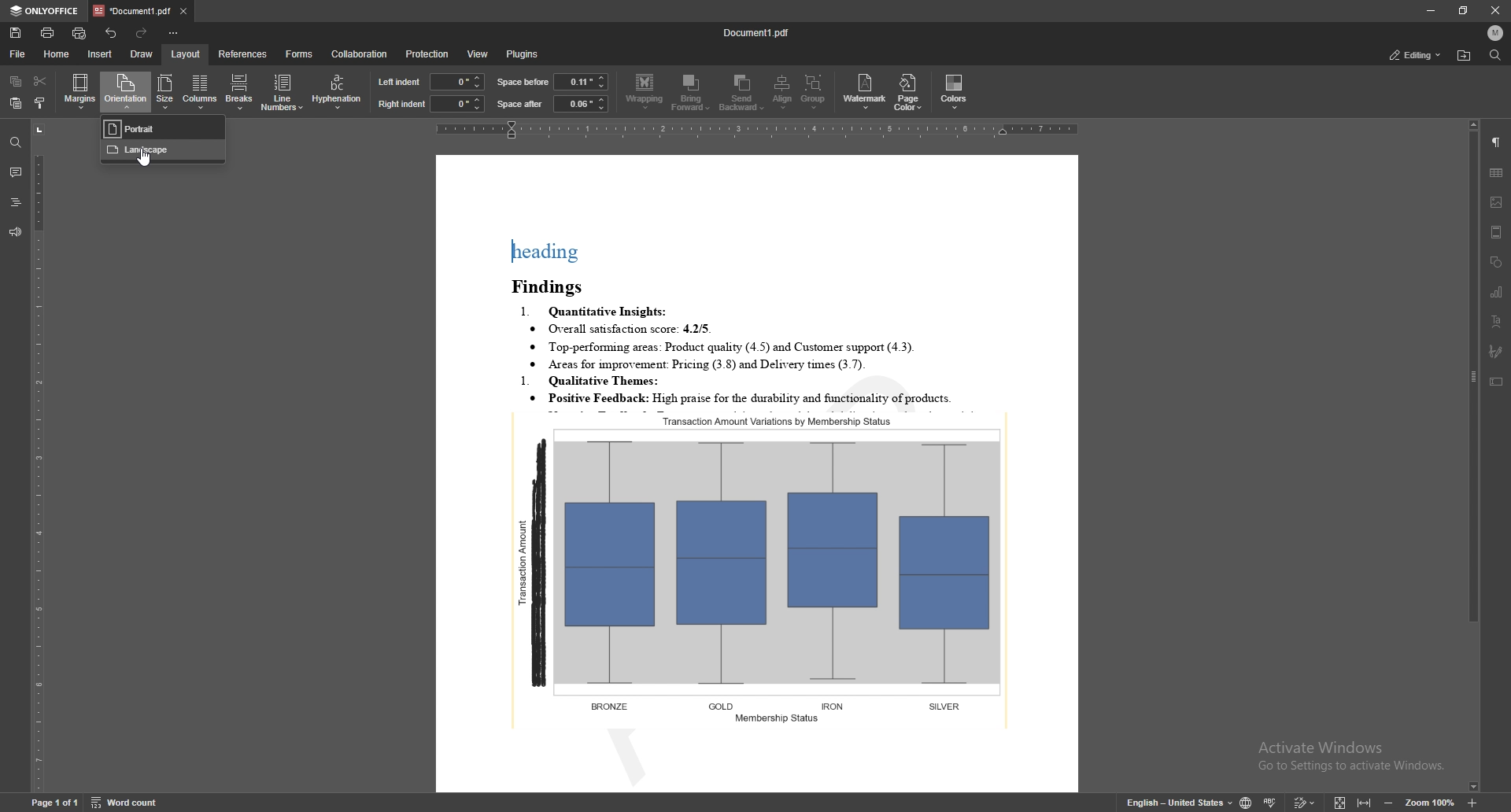 This screenshot has height=812, width=1511. What do you see at coordinates (16, 32) in the screenshot?
I see `save` at bounding box center [16, 32].